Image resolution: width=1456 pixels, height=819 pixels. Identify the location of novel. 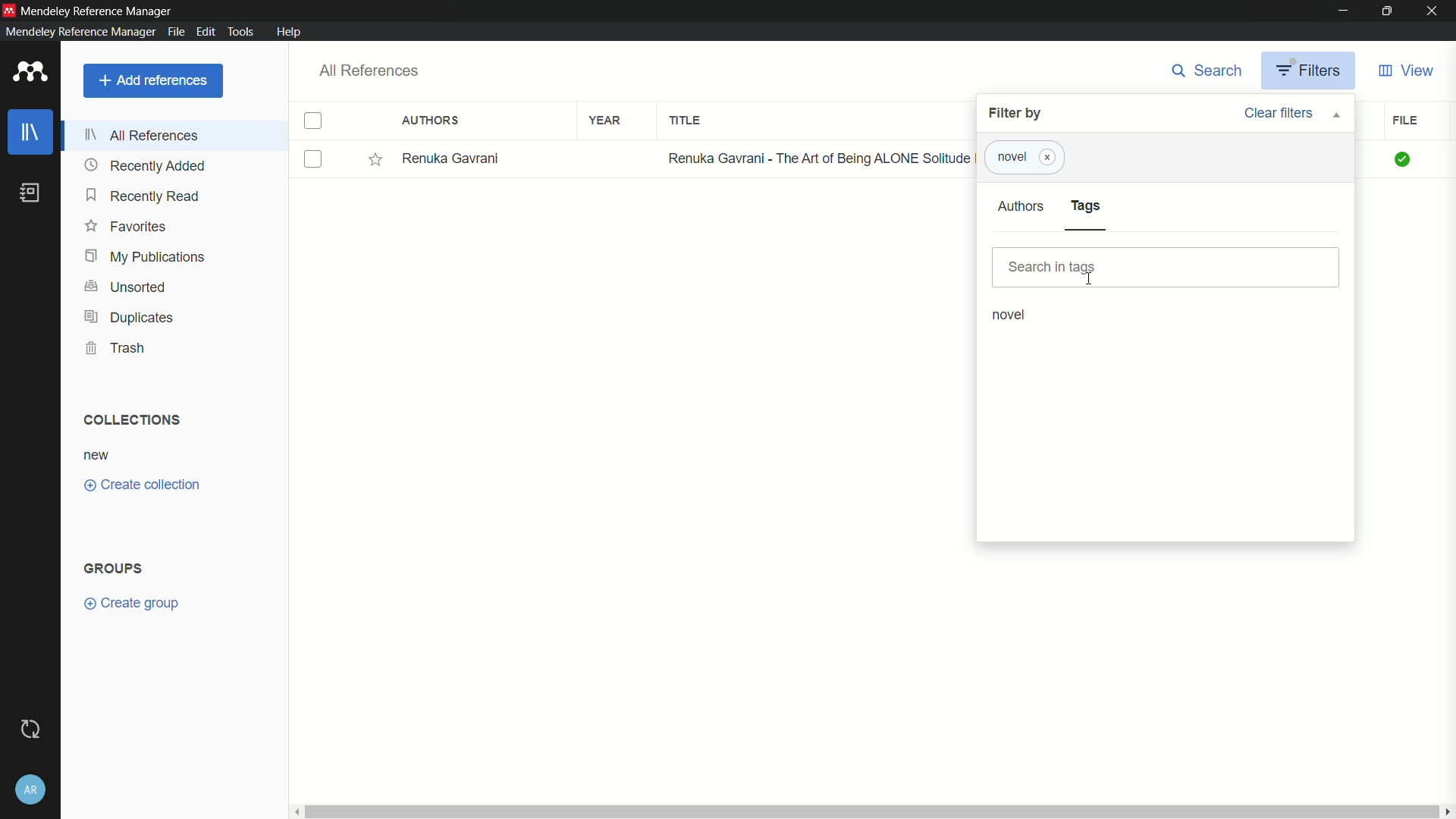
(1011, 315).